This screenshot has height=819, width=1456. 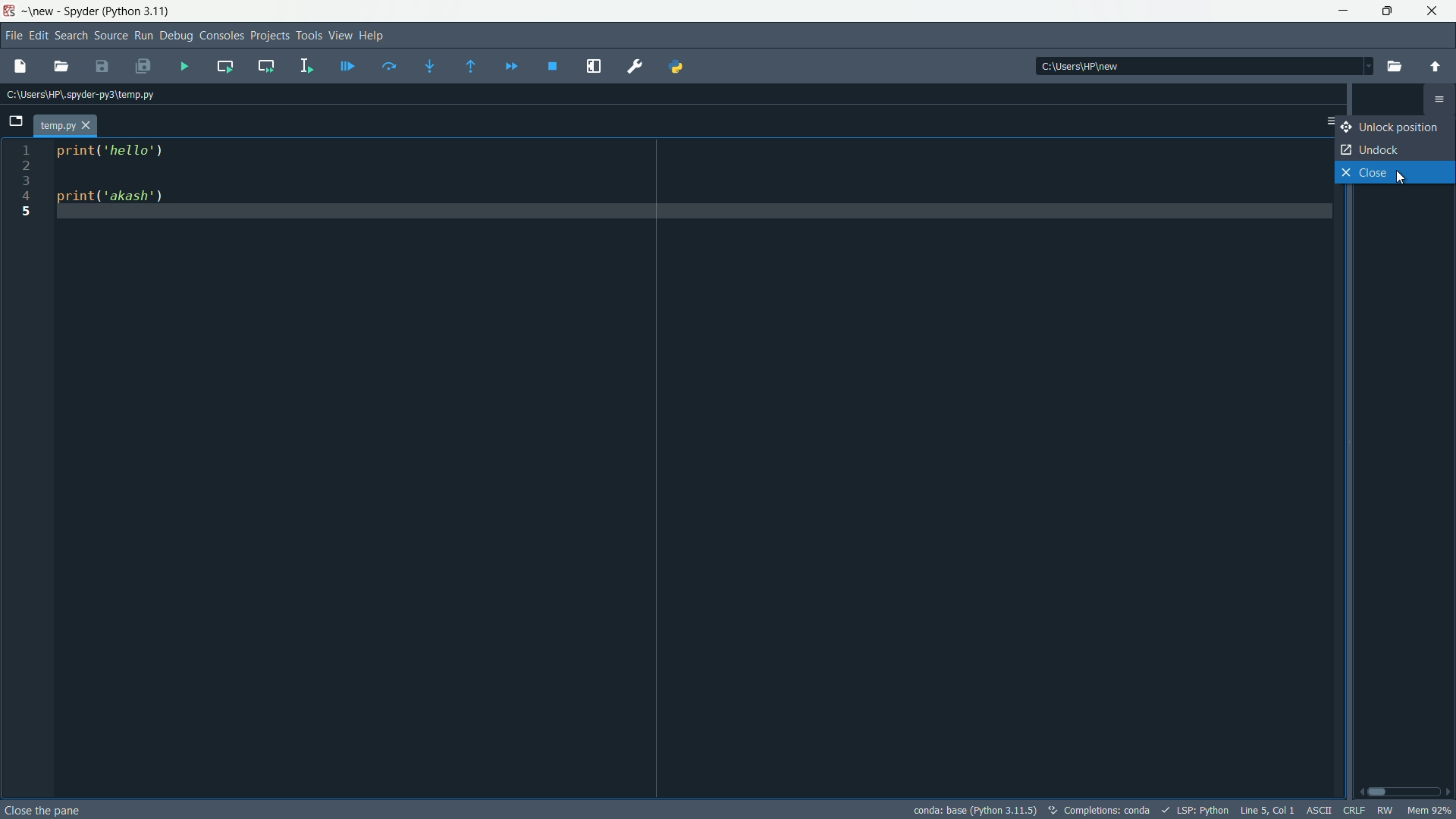 What do you see at coordinates (1351, 811) in the screenshot?
I see `CRLF` at bounding box center [1351, 811].